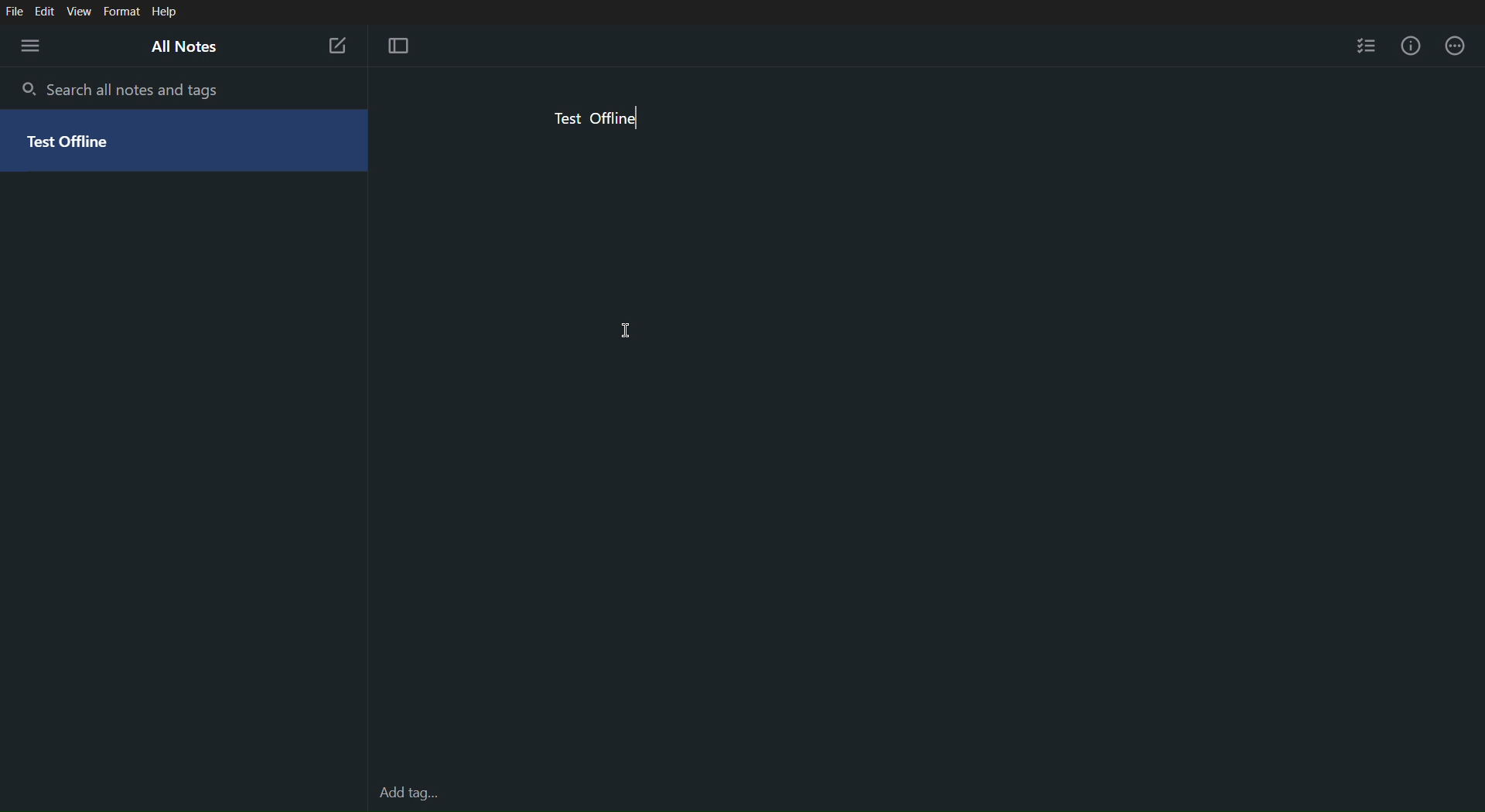 The image size is (1485, 812). I want to click on Test Offline, so click(185, 142).